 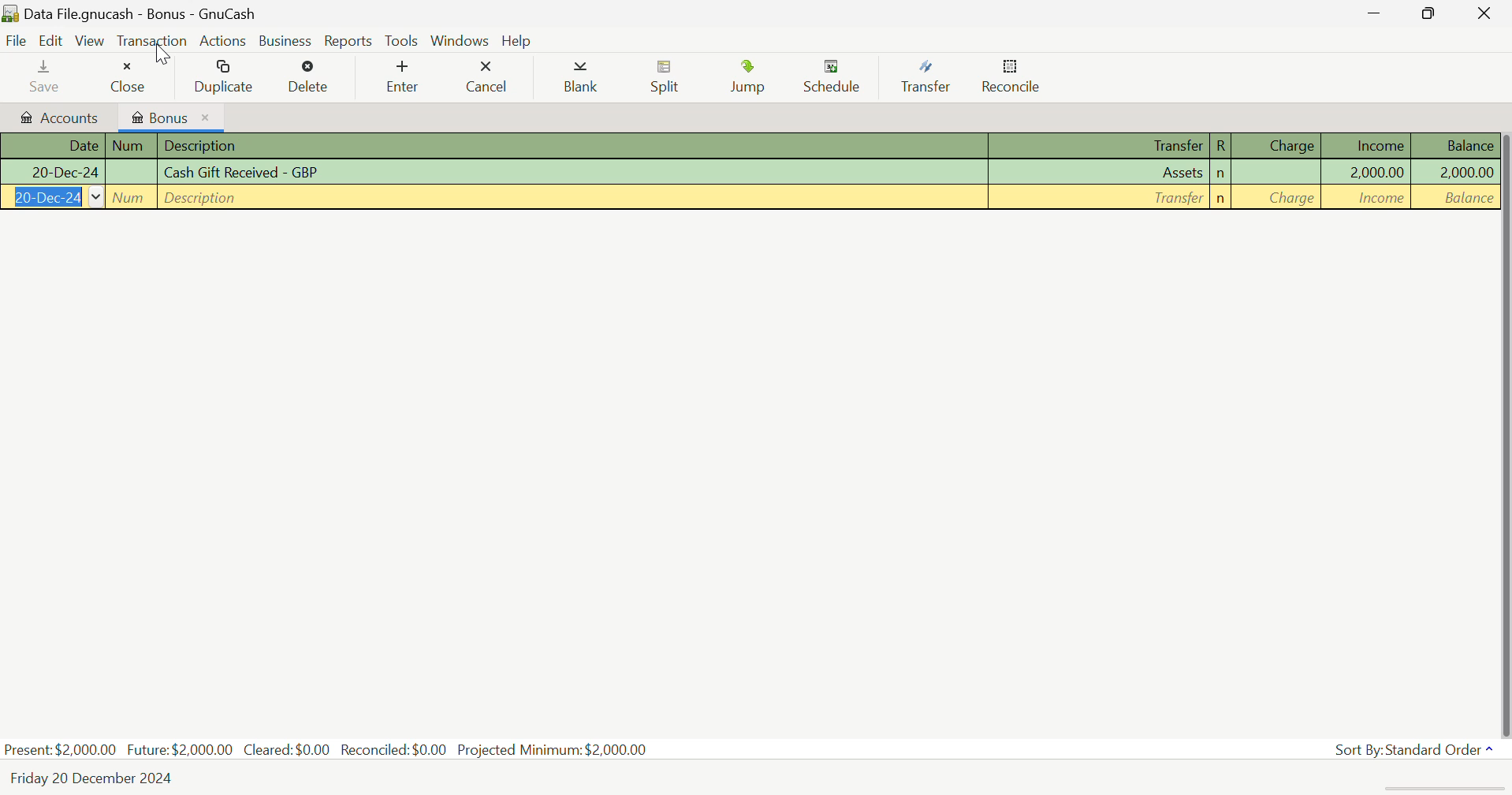 I want to click on Transfer, so click(x=1101, y=147).